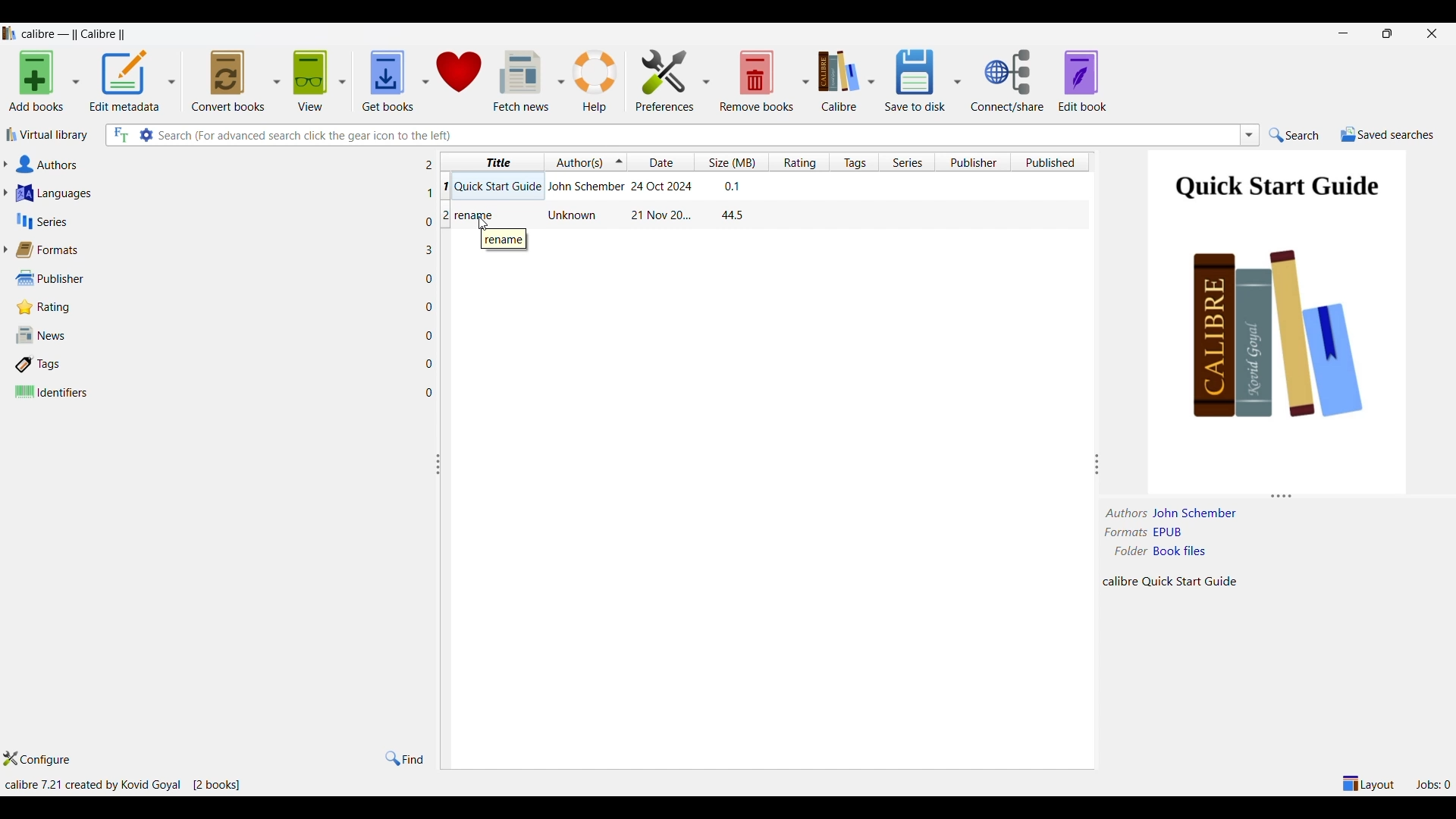  I want to click on Rating, so click(216, 307).